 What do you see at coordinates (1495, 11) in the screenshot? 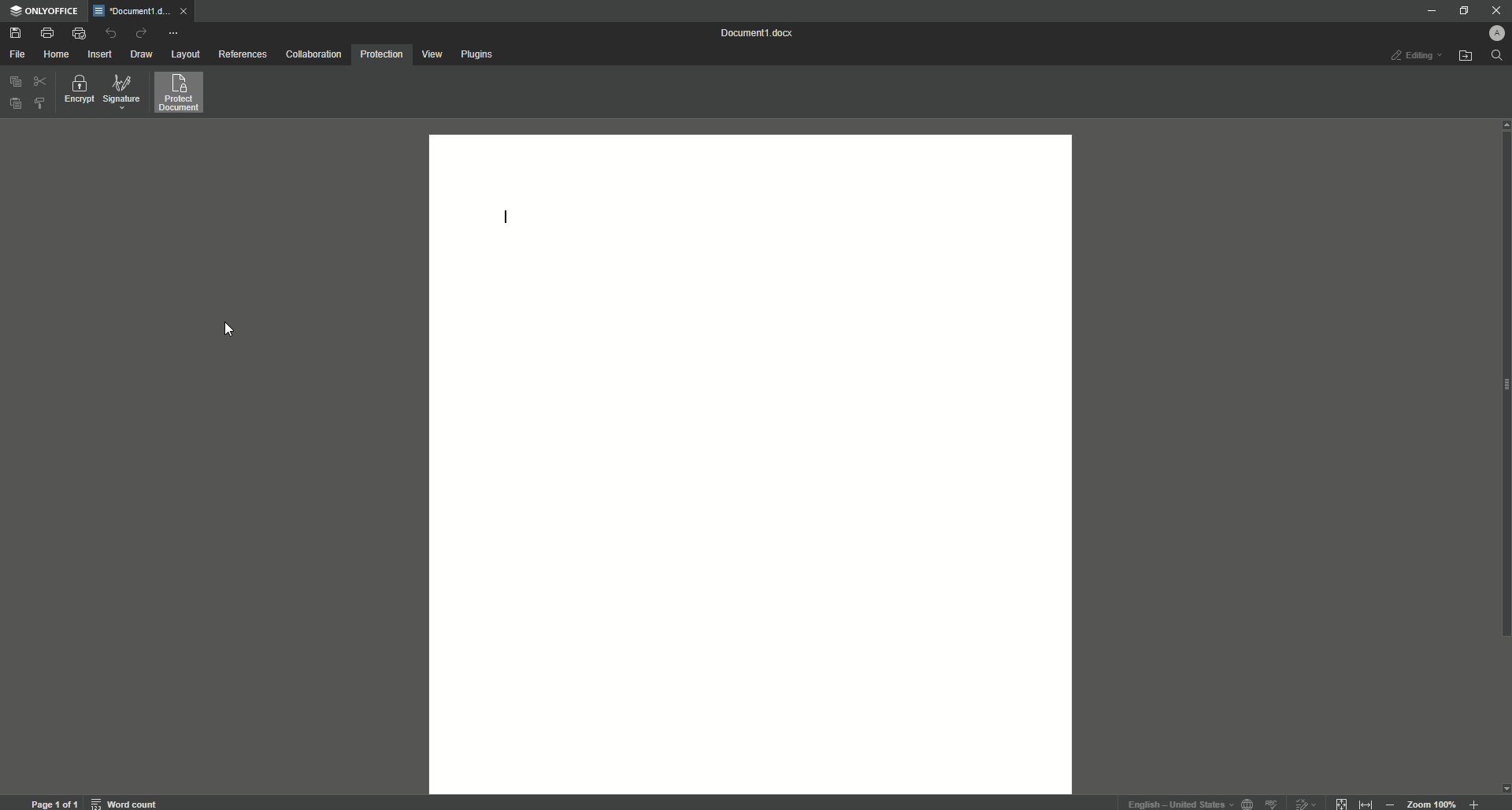
I see `Close` at bounding box center [1495, 11].